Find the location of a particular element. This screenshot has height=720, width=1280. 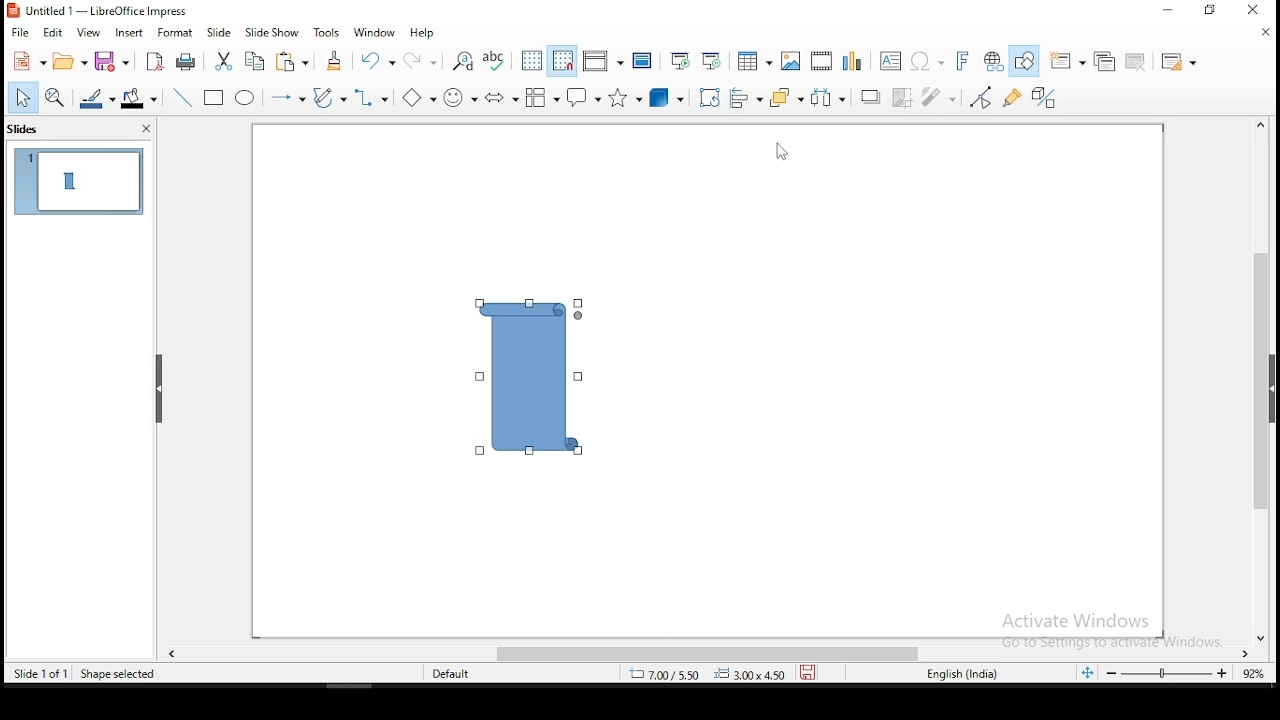

8.43/7.42 is located at coordinates (665, 676).